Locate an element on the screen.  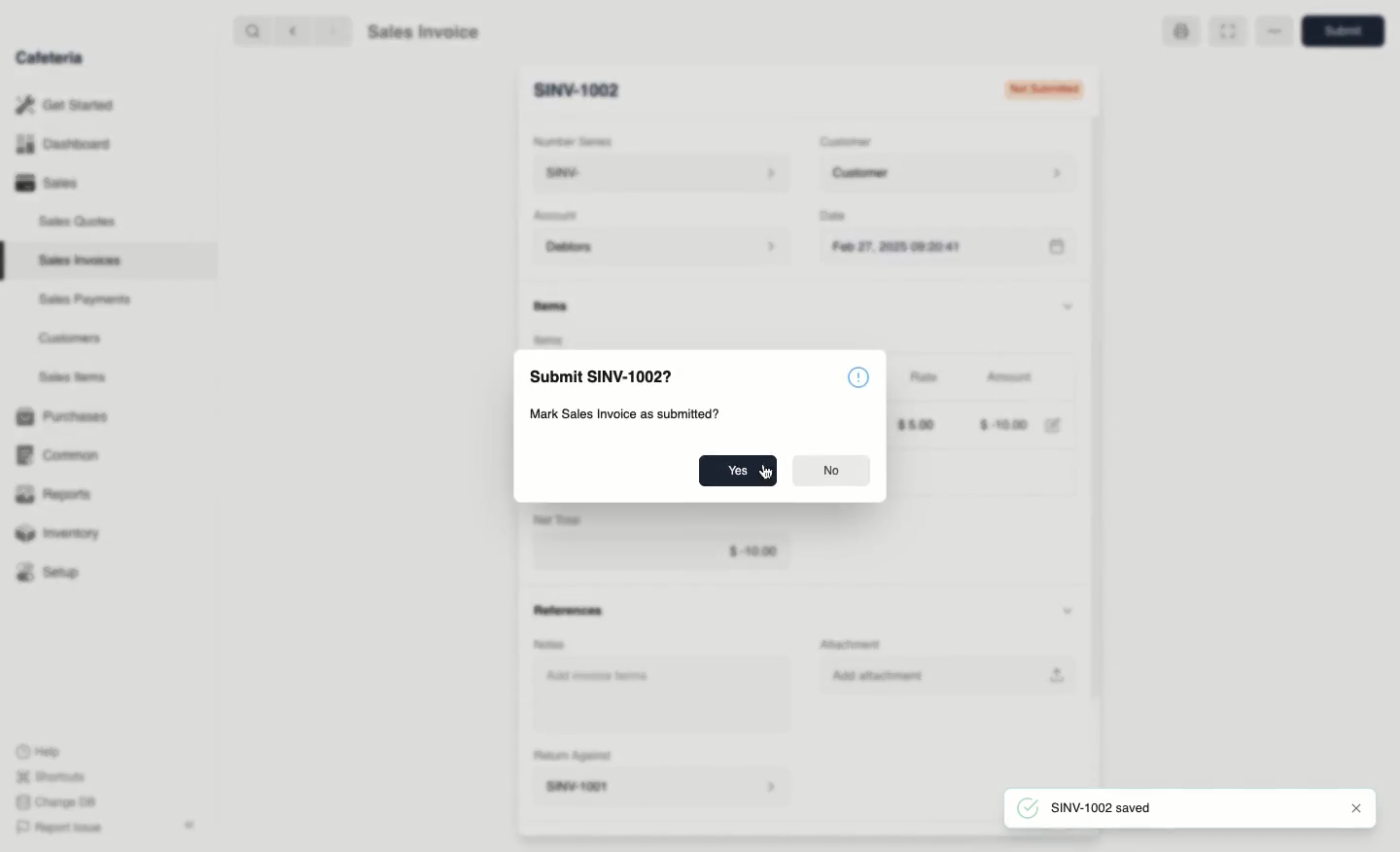
Feb 27, 2025 09:19:04 is located at coordinates (956, 248).